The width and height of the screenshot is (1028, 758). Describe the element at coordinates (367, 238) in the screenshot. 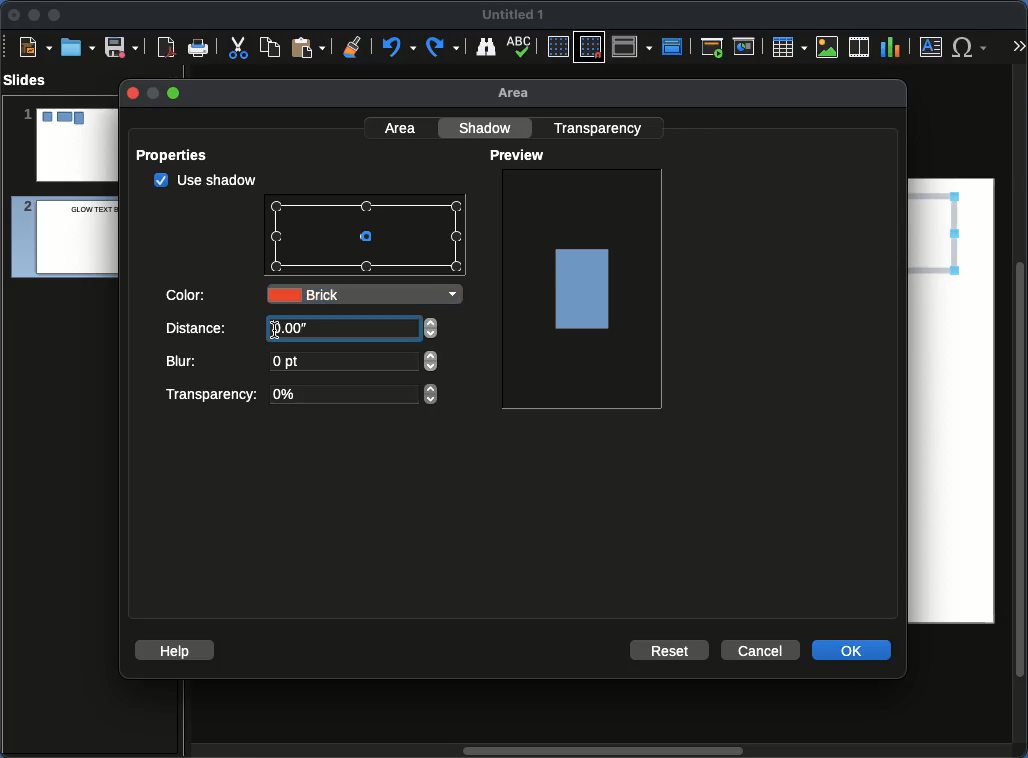

I see `Points` at that location.